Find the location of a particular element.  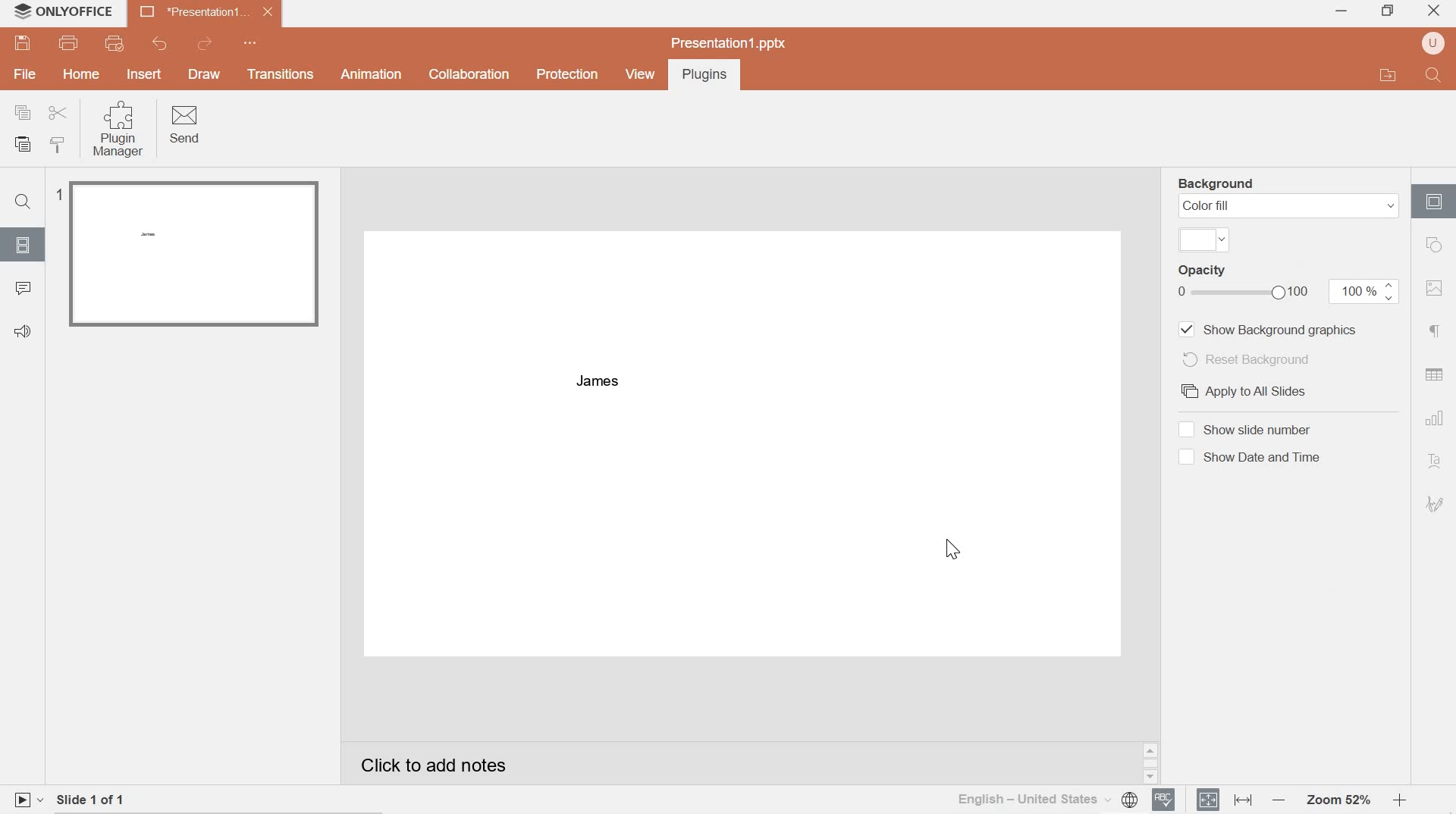

show date and time is located at coordinates (1250, 457).